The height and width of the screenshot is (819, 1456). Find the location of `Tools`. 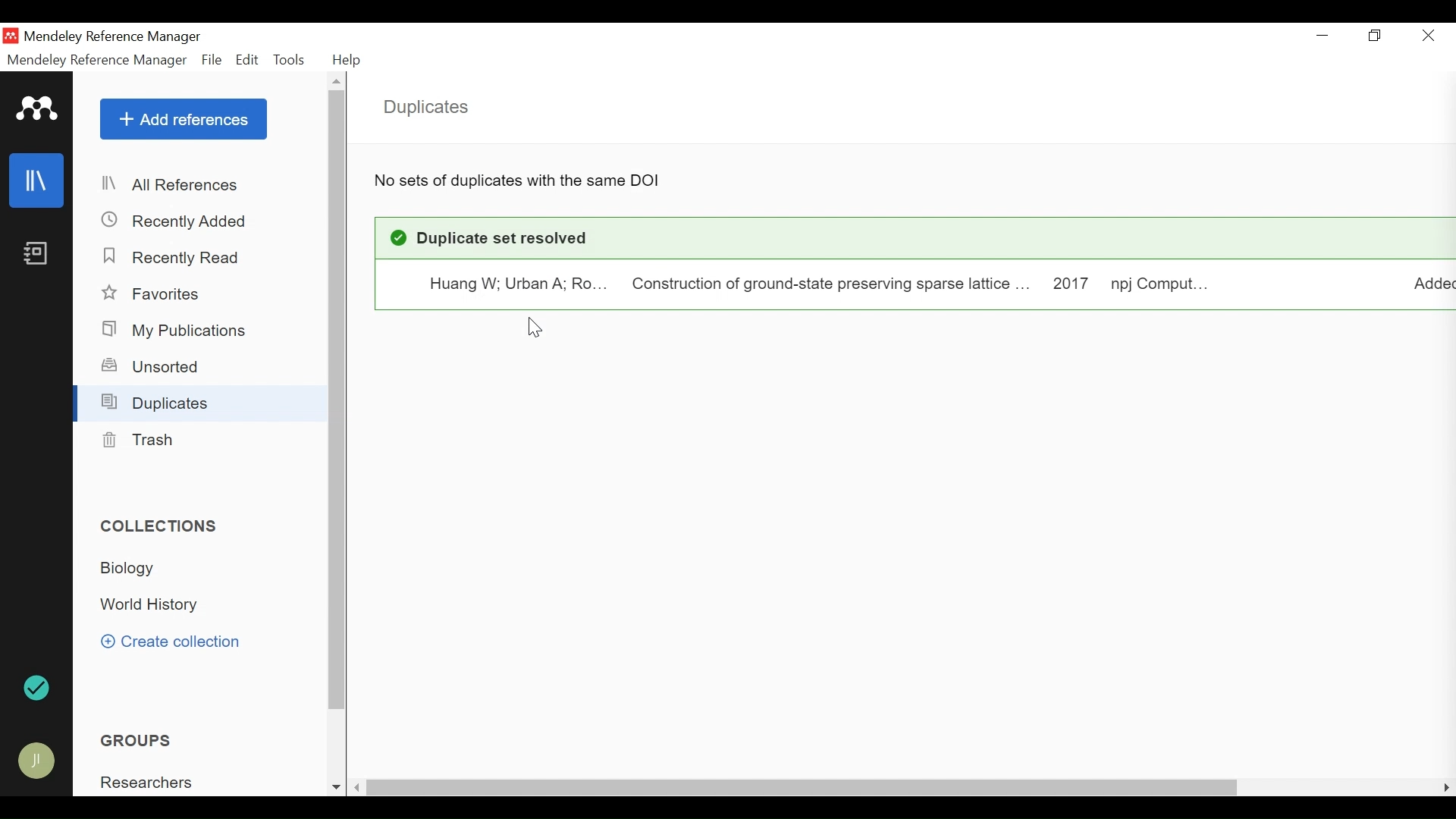

Tools is located at coordinates (290, 61).